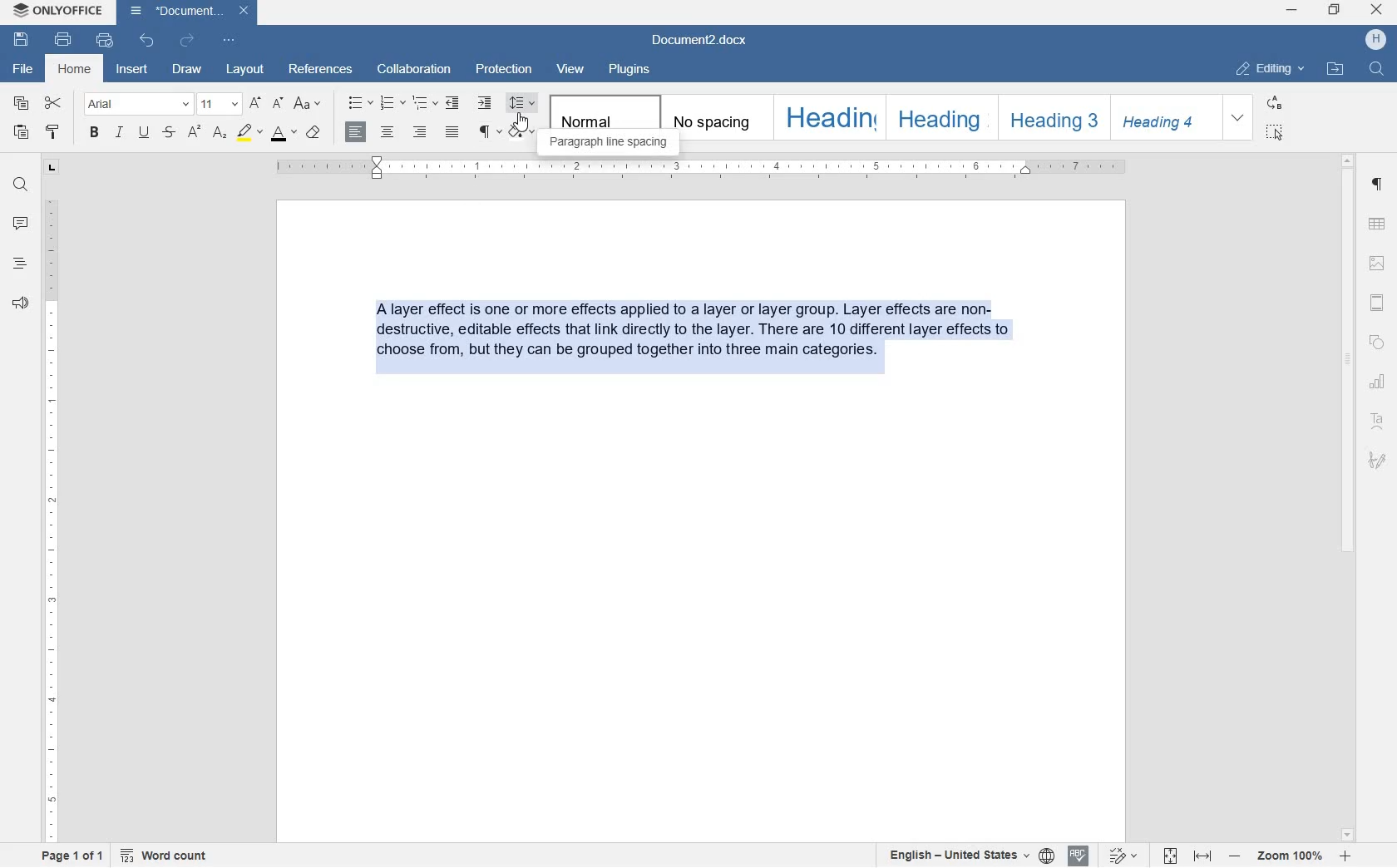  What do you see at coordinates (1276, 131) in the screenshot?
I see `select all ` at bounding box center [1276, 131].